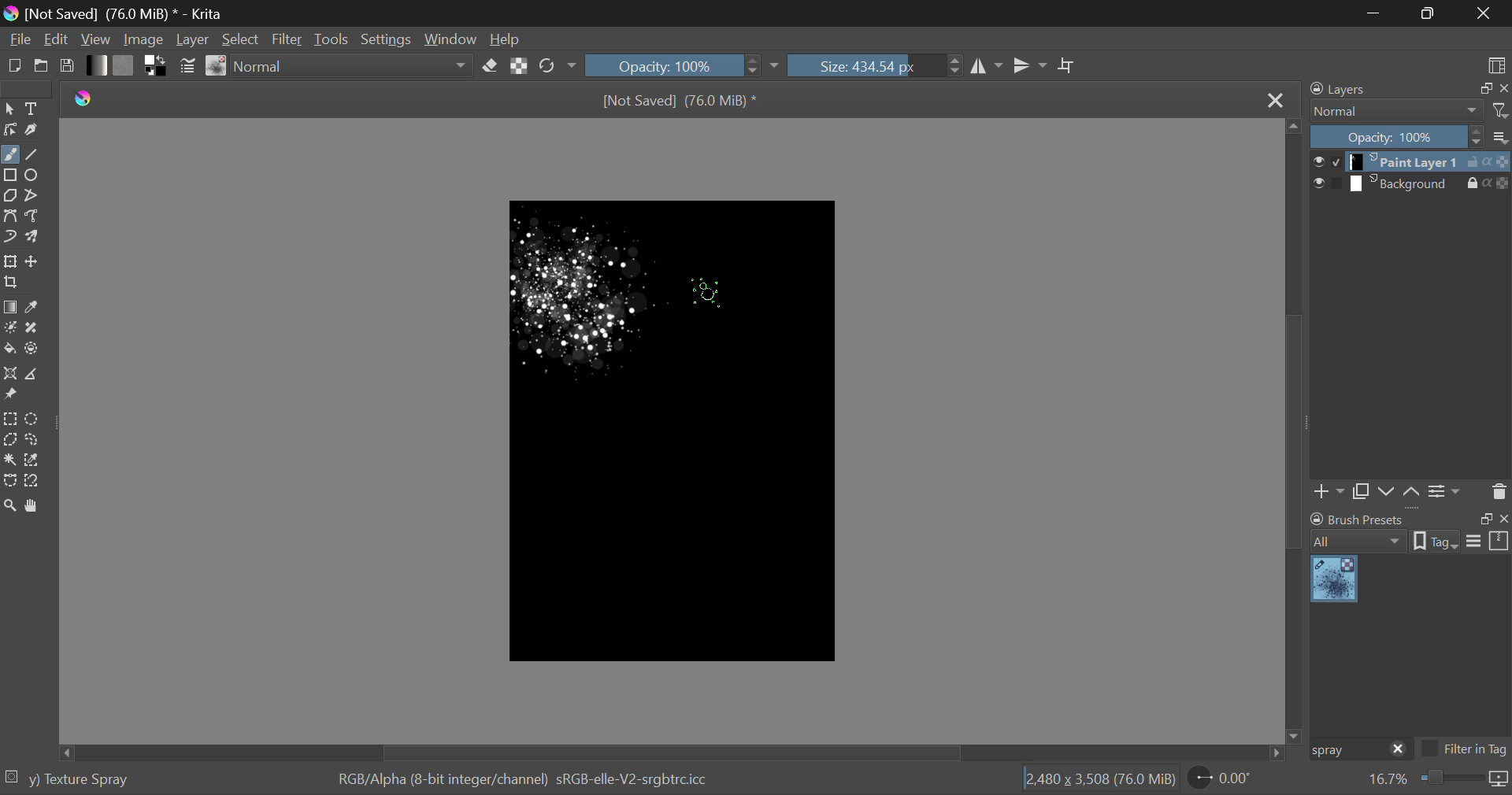 This screenshot has height=795, width=1512. Describe the element at coordinates (34, 130) in the screenshot. I see `Calligraphic Tool` at that location.